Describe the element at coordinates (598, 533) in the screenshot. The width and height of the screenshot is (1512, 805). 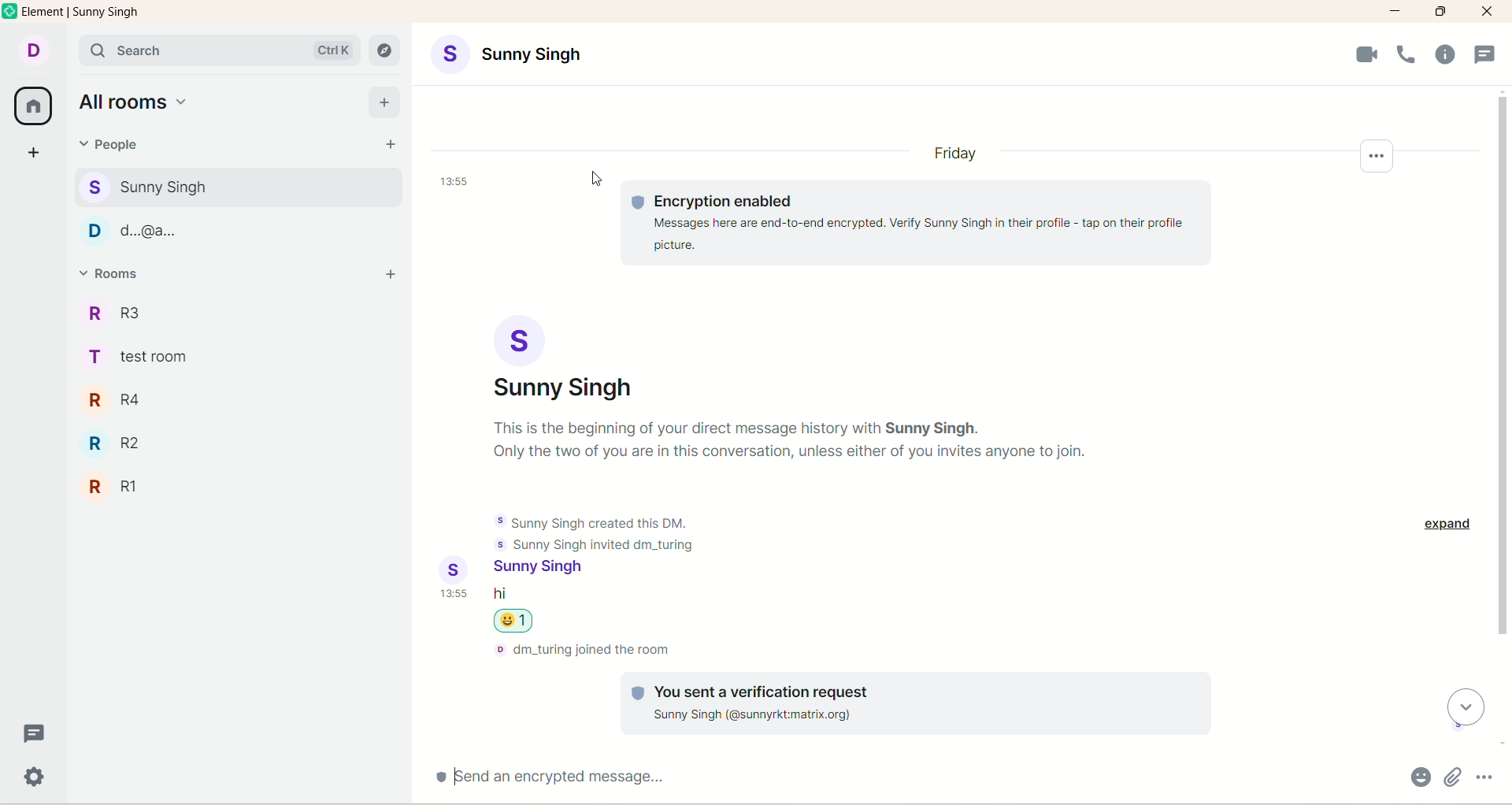
I see `text` at that location.